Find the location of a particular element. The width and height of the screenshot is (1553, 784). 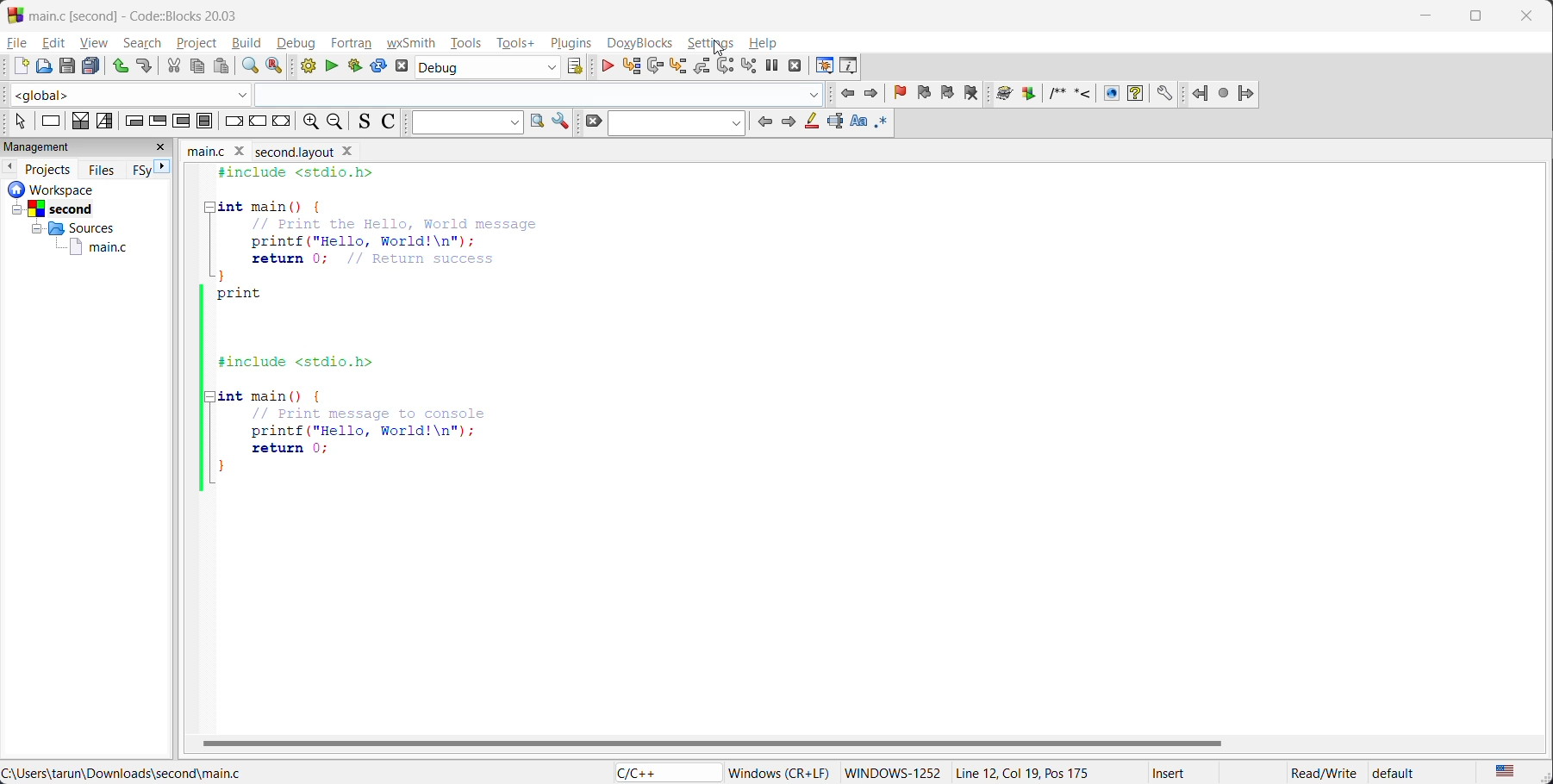

debugging windows is located at coordinates (824, 65).